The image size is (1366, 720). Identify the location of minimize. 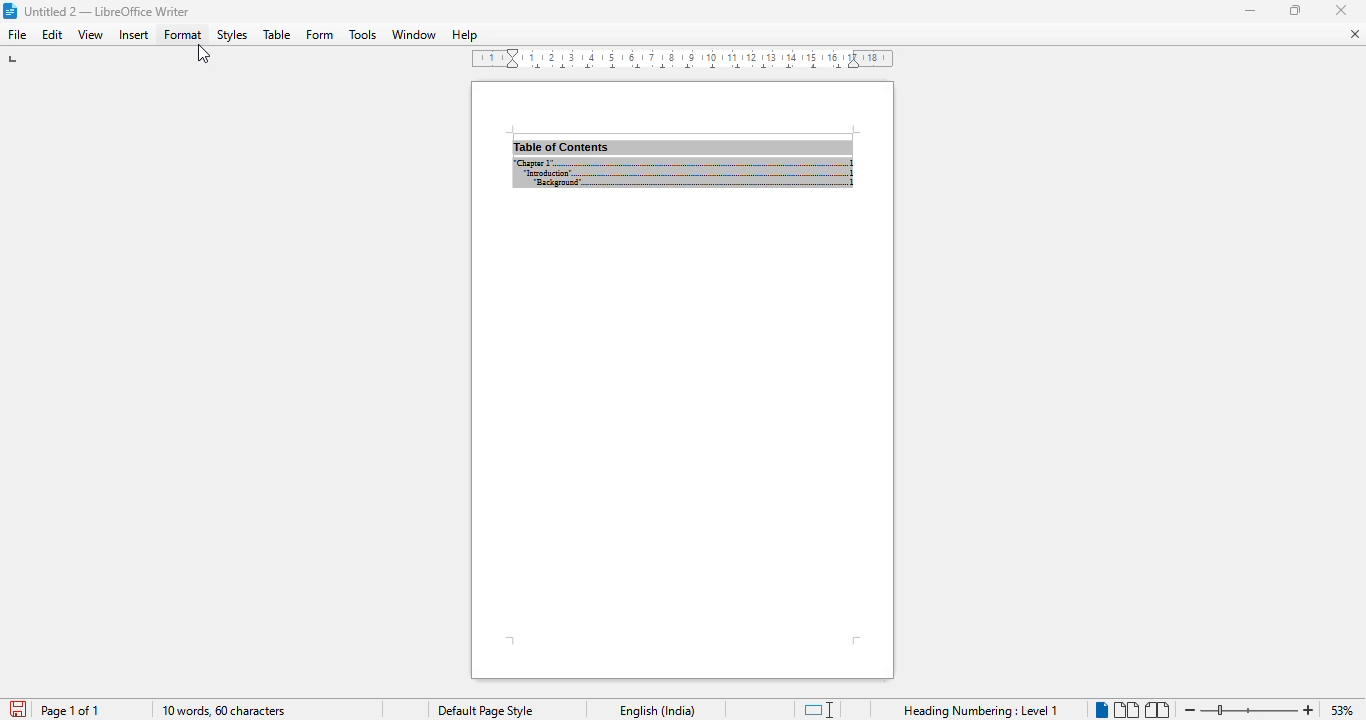
(1341, 10).